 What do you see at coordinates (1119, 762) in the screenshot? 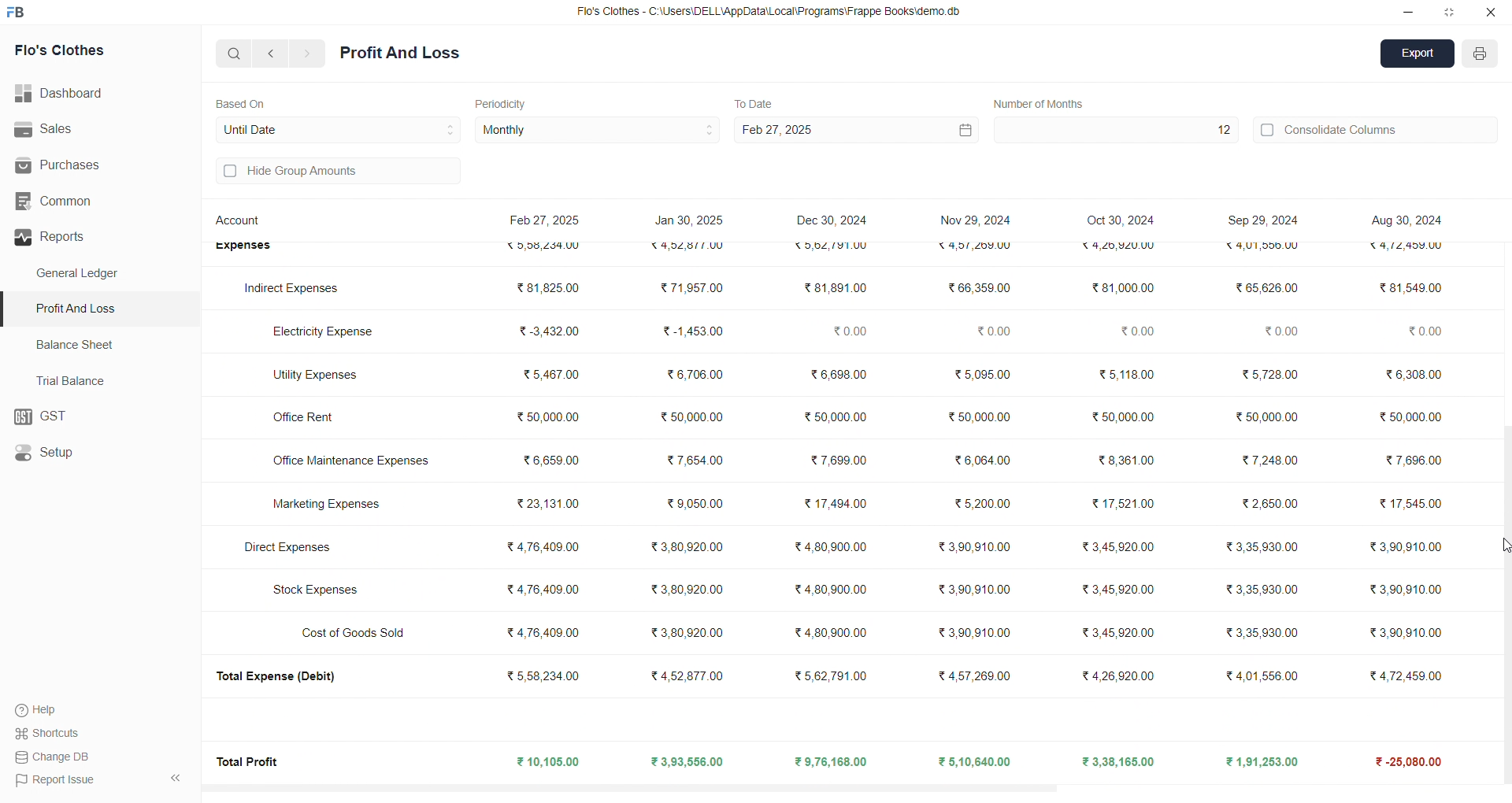
I see `₹3,38,165.00` at bounding box center [1119, 762].